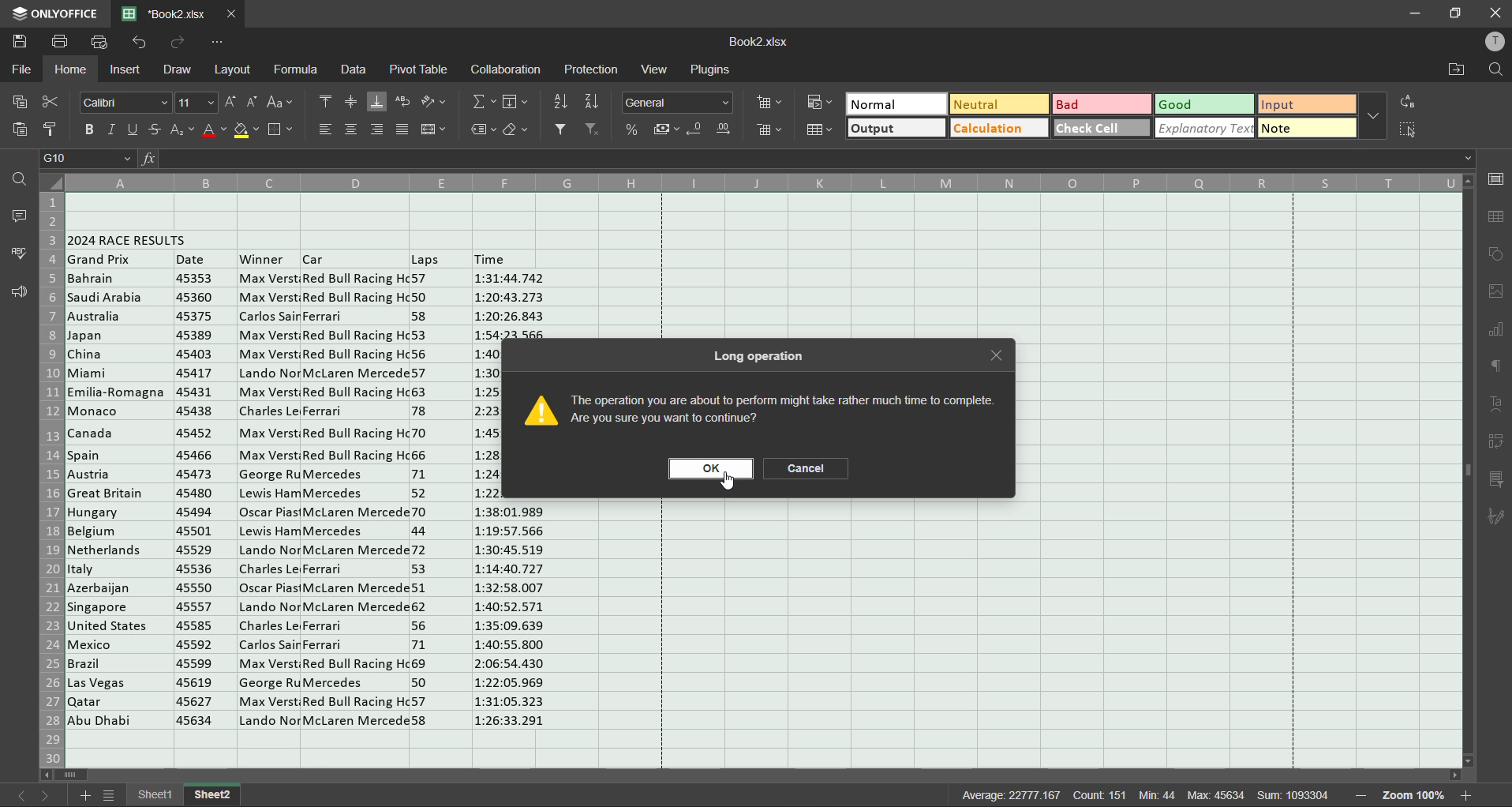 The image size is (1512, 807). What do you see at coordinates (1099, 106) in the screenshot?
I see `bad` at bounding box center [1099, 106].